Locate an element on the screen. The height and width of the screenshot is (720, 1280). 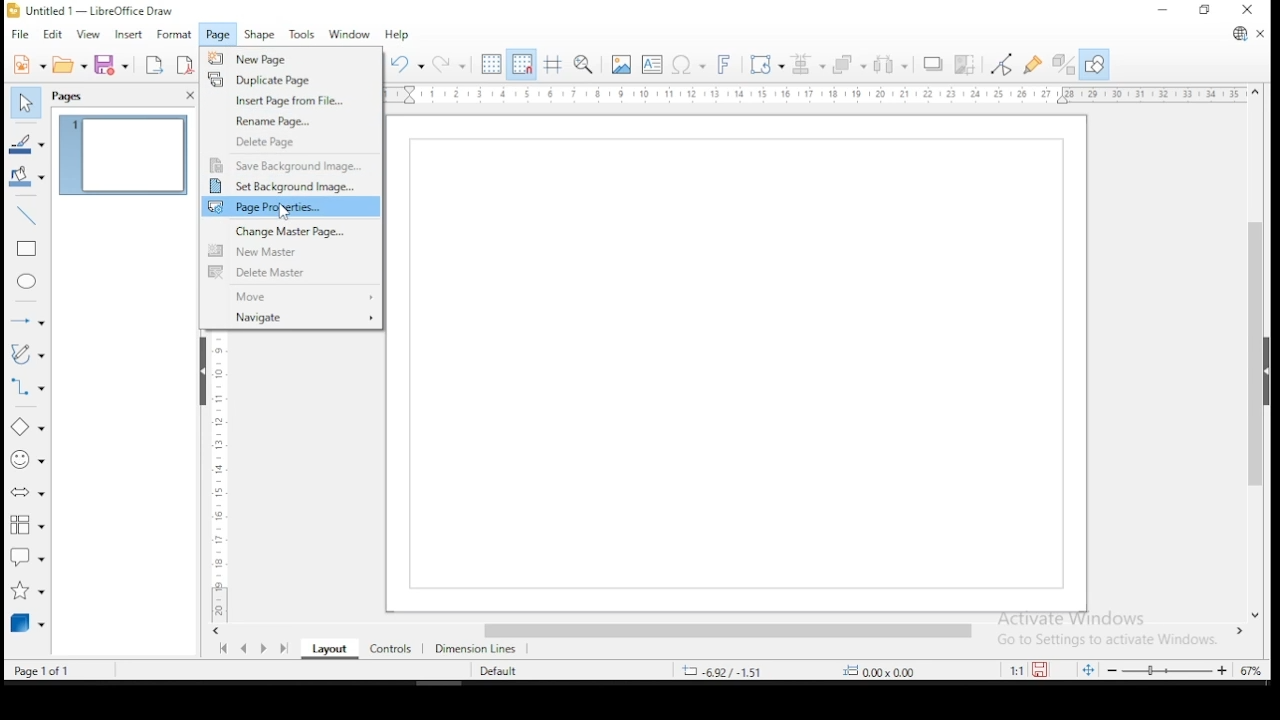
pan and zoom is located at coordinates (584, 65).